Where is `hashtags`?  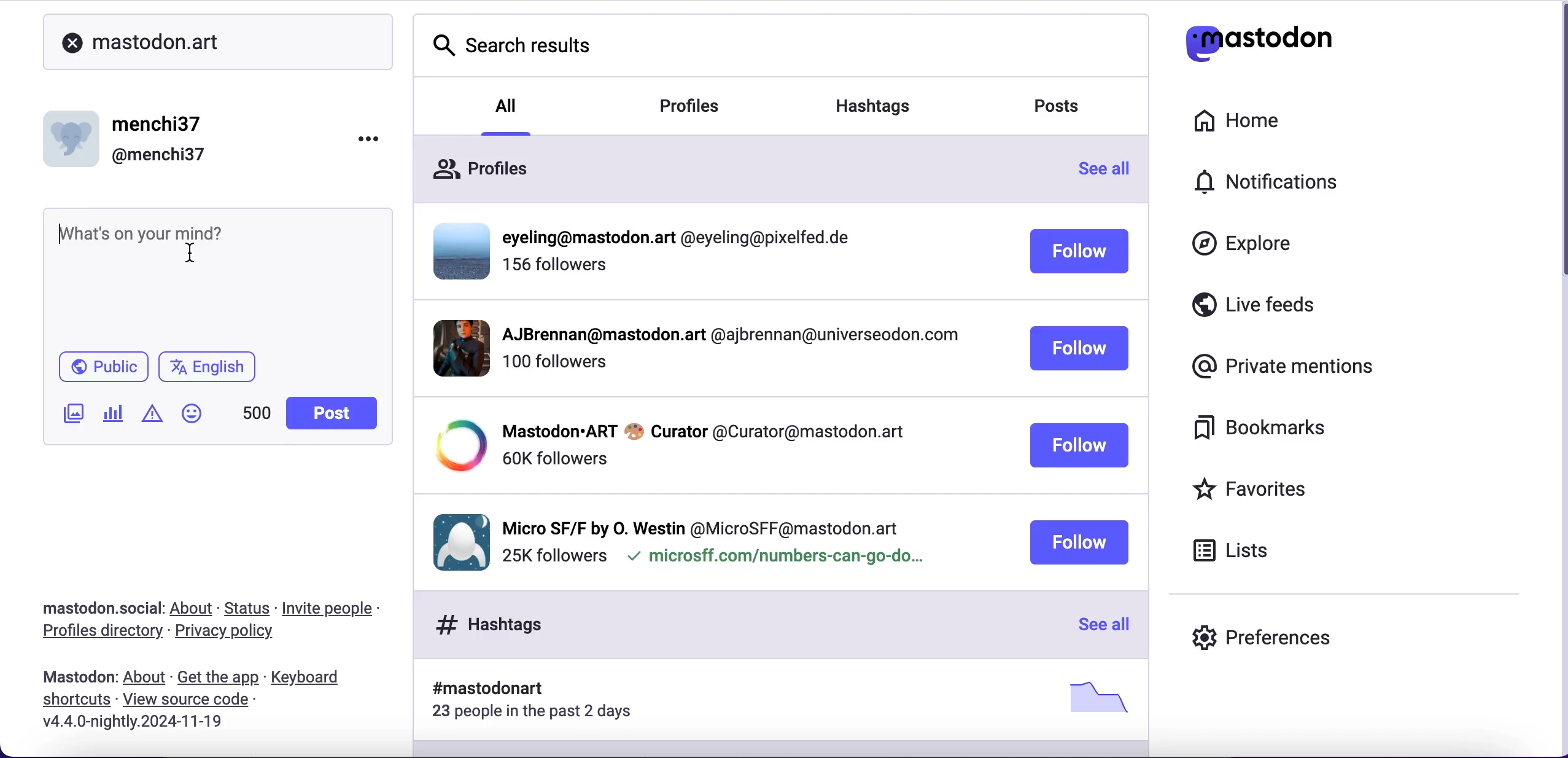
hashtags is located at coordinates (784, 705).